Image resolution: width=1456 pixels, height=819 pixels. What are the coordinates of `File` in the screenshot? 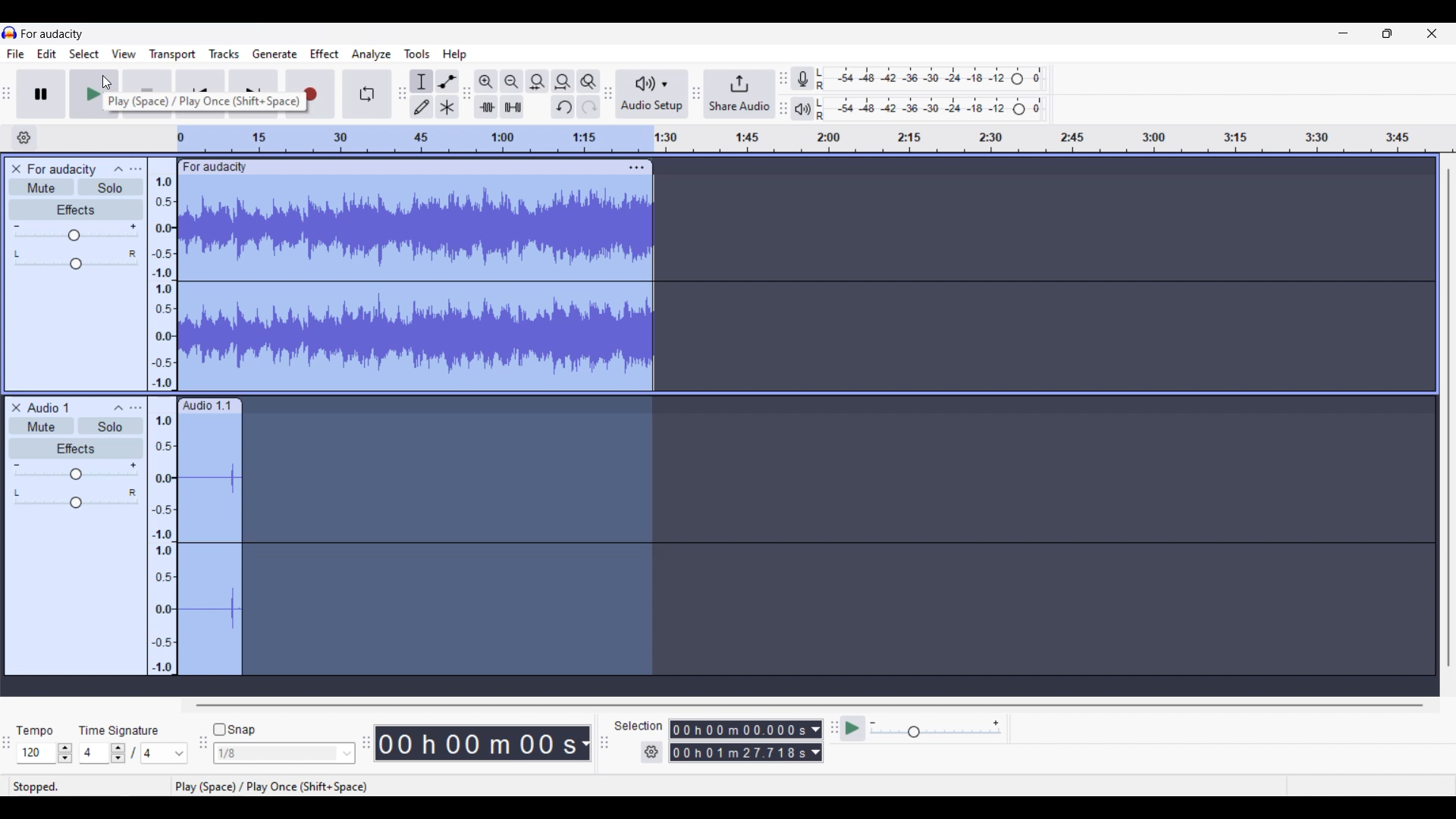 It's located at (15, 54).